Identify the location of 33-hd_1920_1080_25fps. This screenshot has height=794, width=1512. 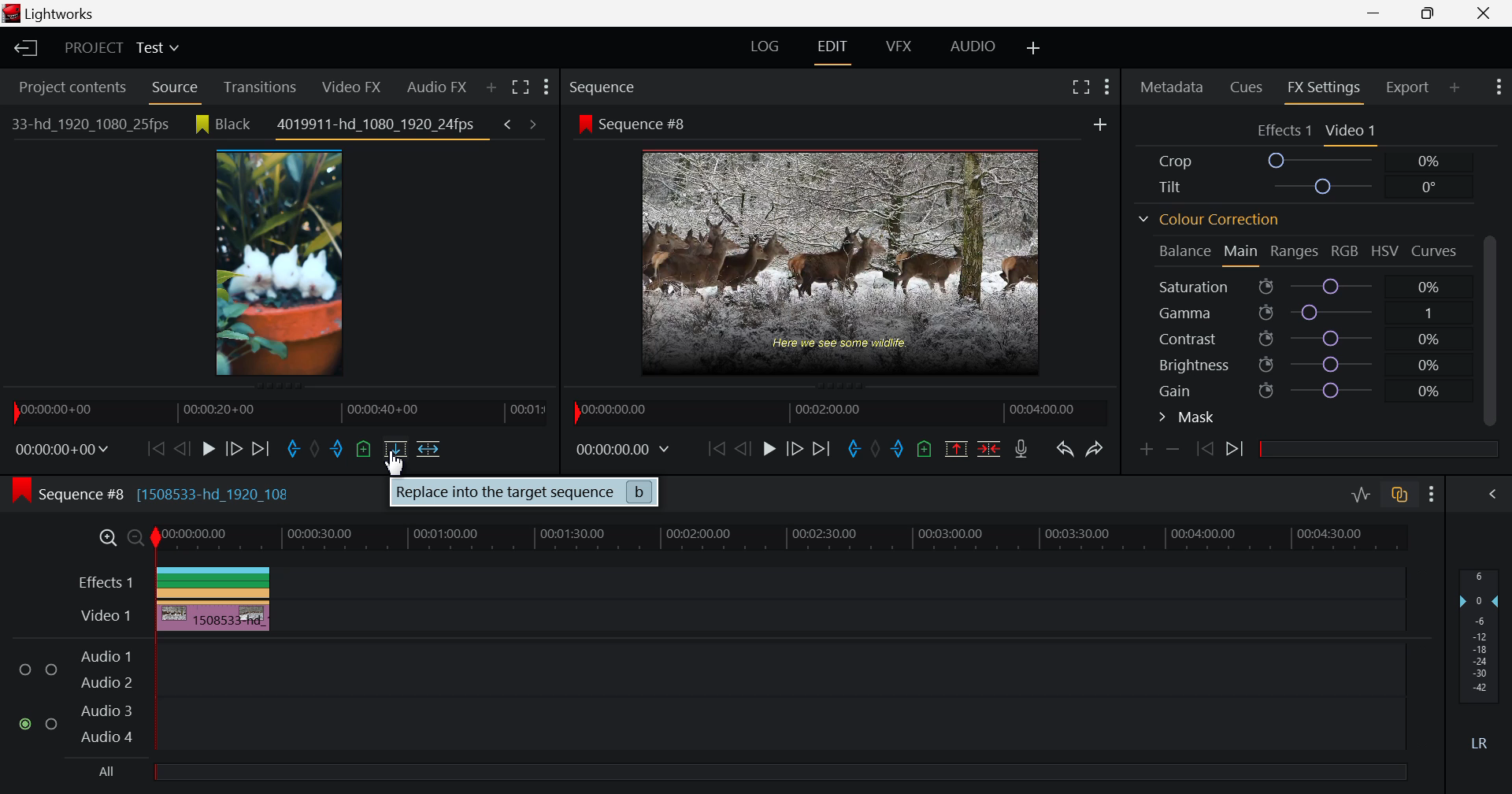
(87, 124).